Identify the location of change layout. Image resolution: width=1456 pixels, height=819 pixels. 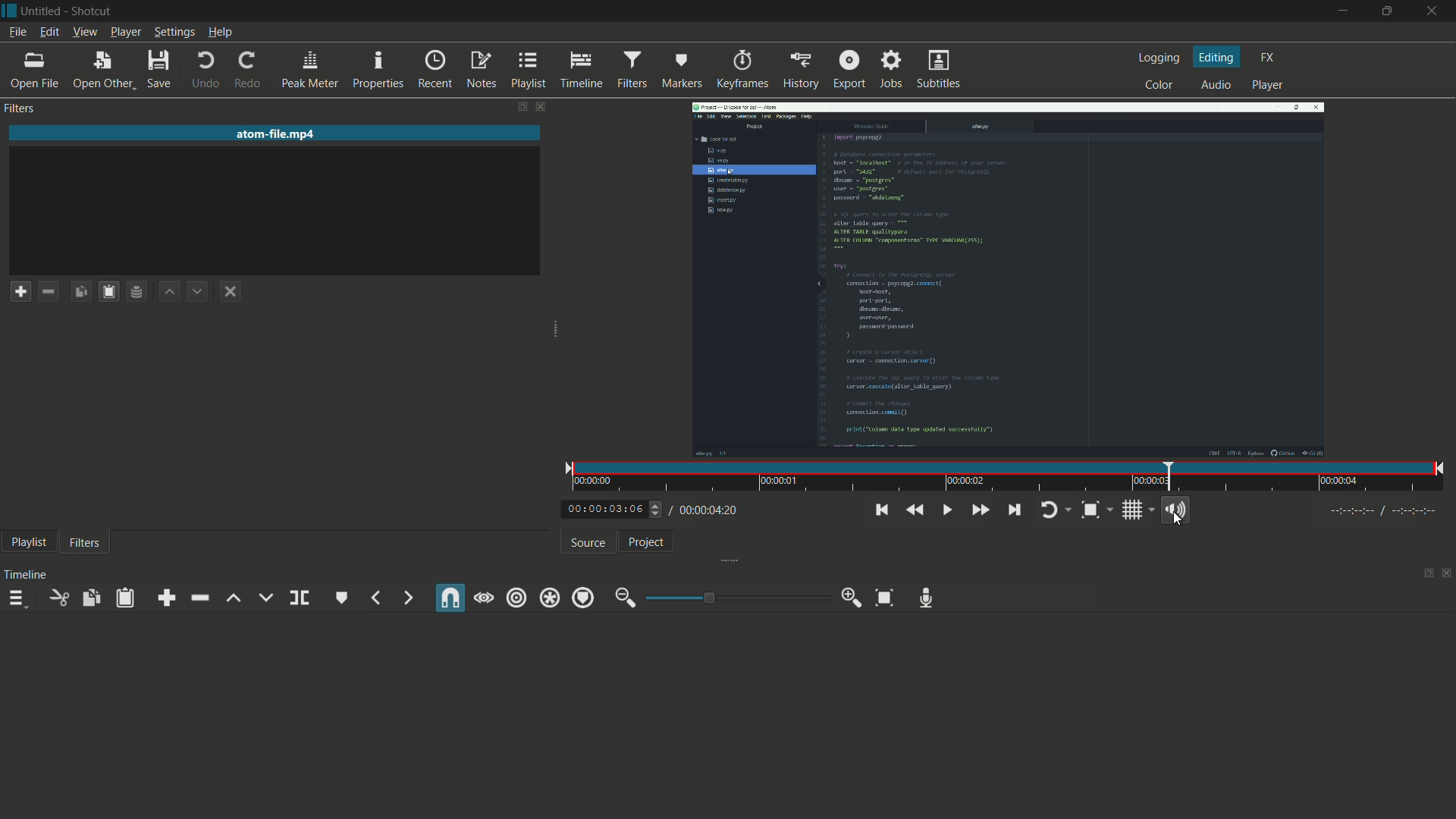
(516, 109).